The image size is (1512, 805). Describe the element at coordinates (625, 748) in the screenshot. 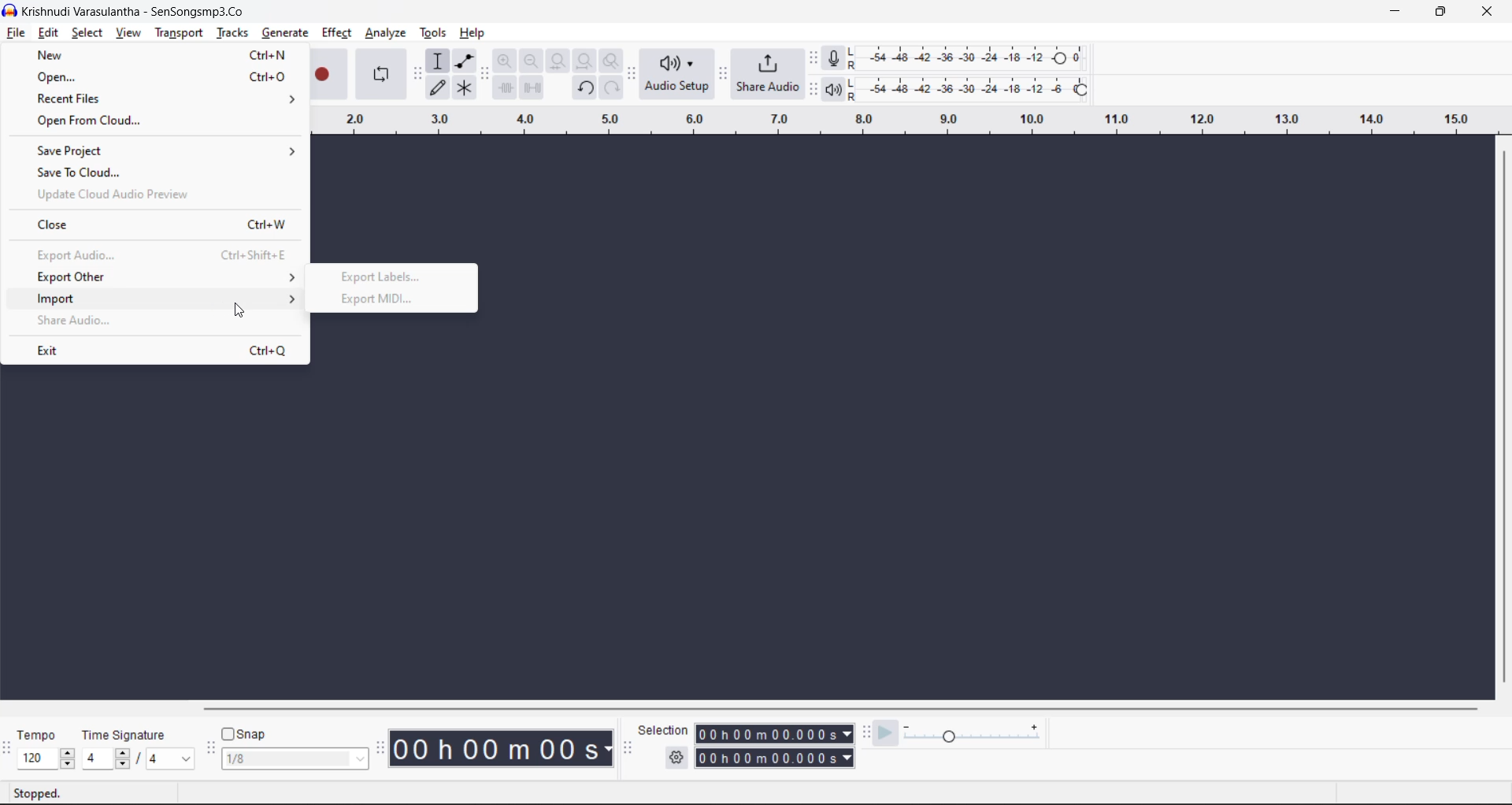

I see `selection tool bar` at that location.